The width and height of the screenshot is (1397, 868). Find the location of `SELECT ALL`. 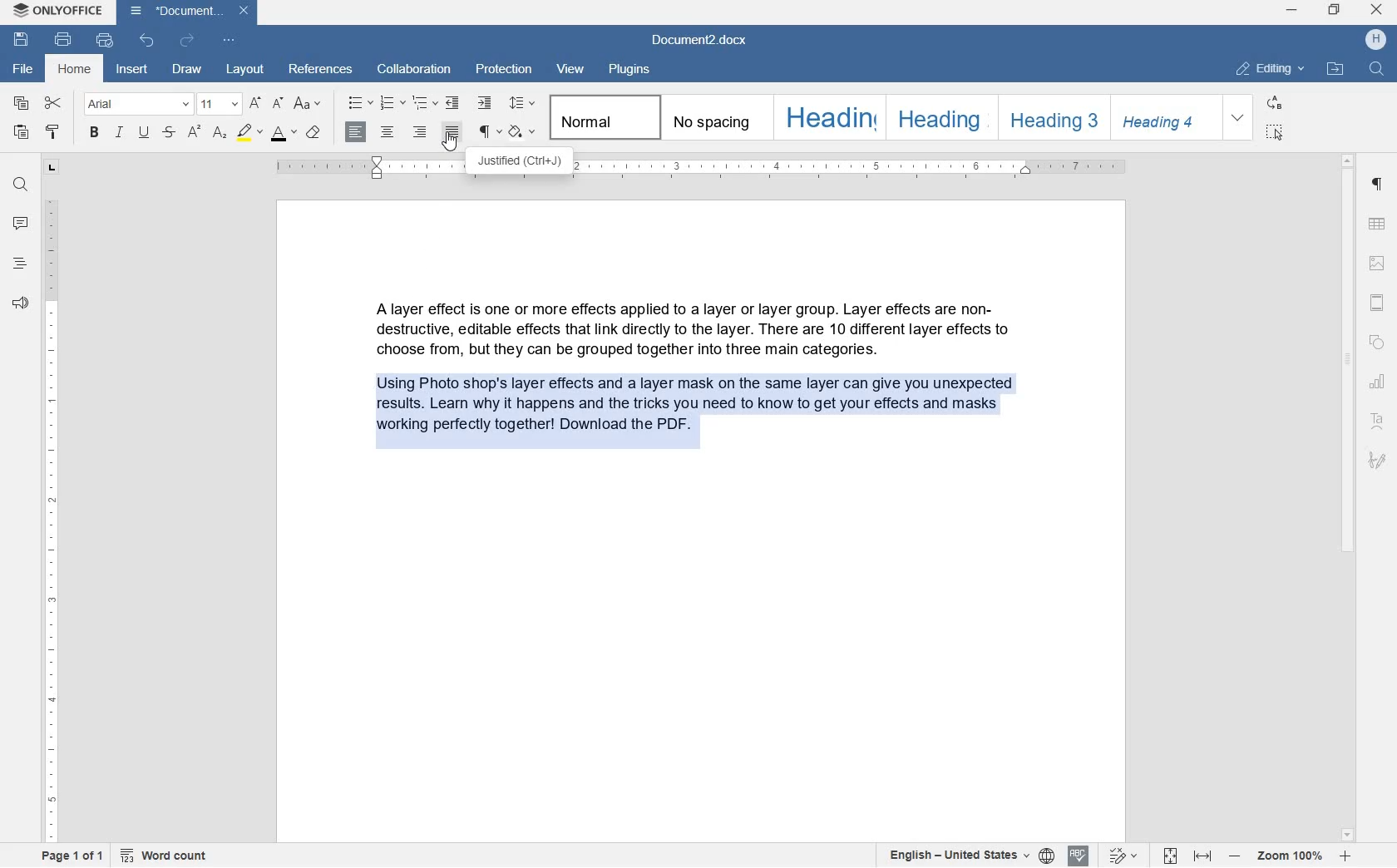

SELECT ALL is located at coordinates (1273, 133).